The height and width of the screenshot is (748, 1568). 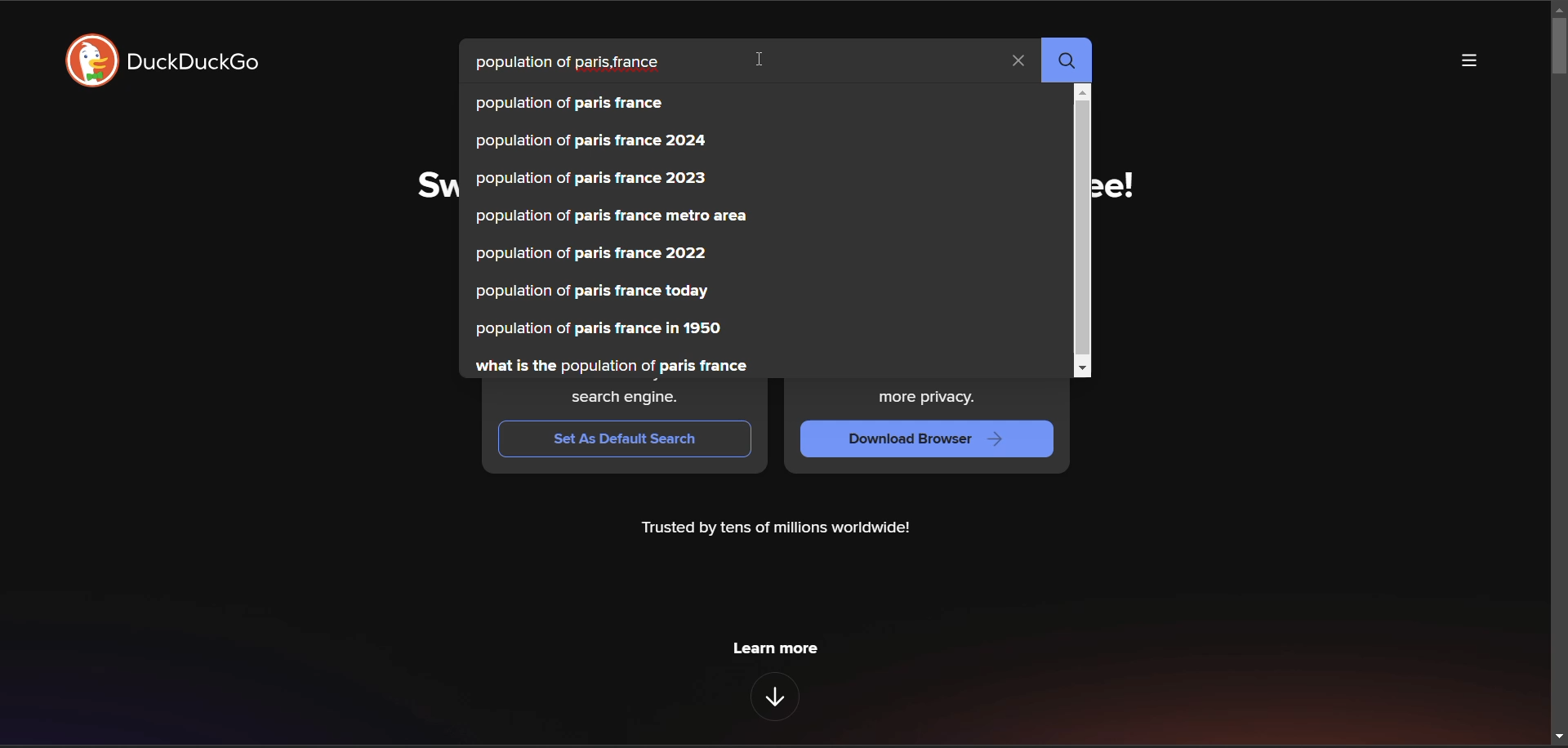 What do you see at coordinates (594, 293) in the screenshot?
I see `population of paris france today` at bounding box center [594, 293].